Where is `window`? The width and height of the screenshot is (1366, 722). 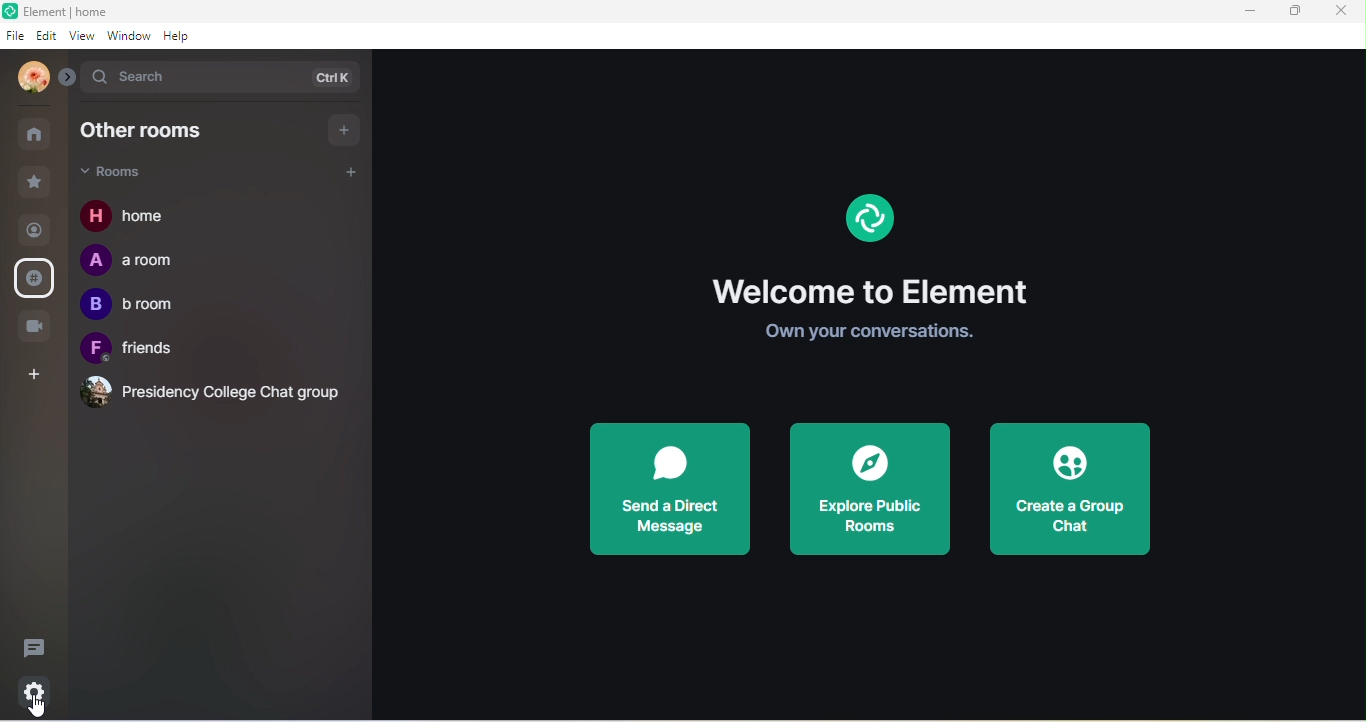 window is located at coordinates (130, 36).